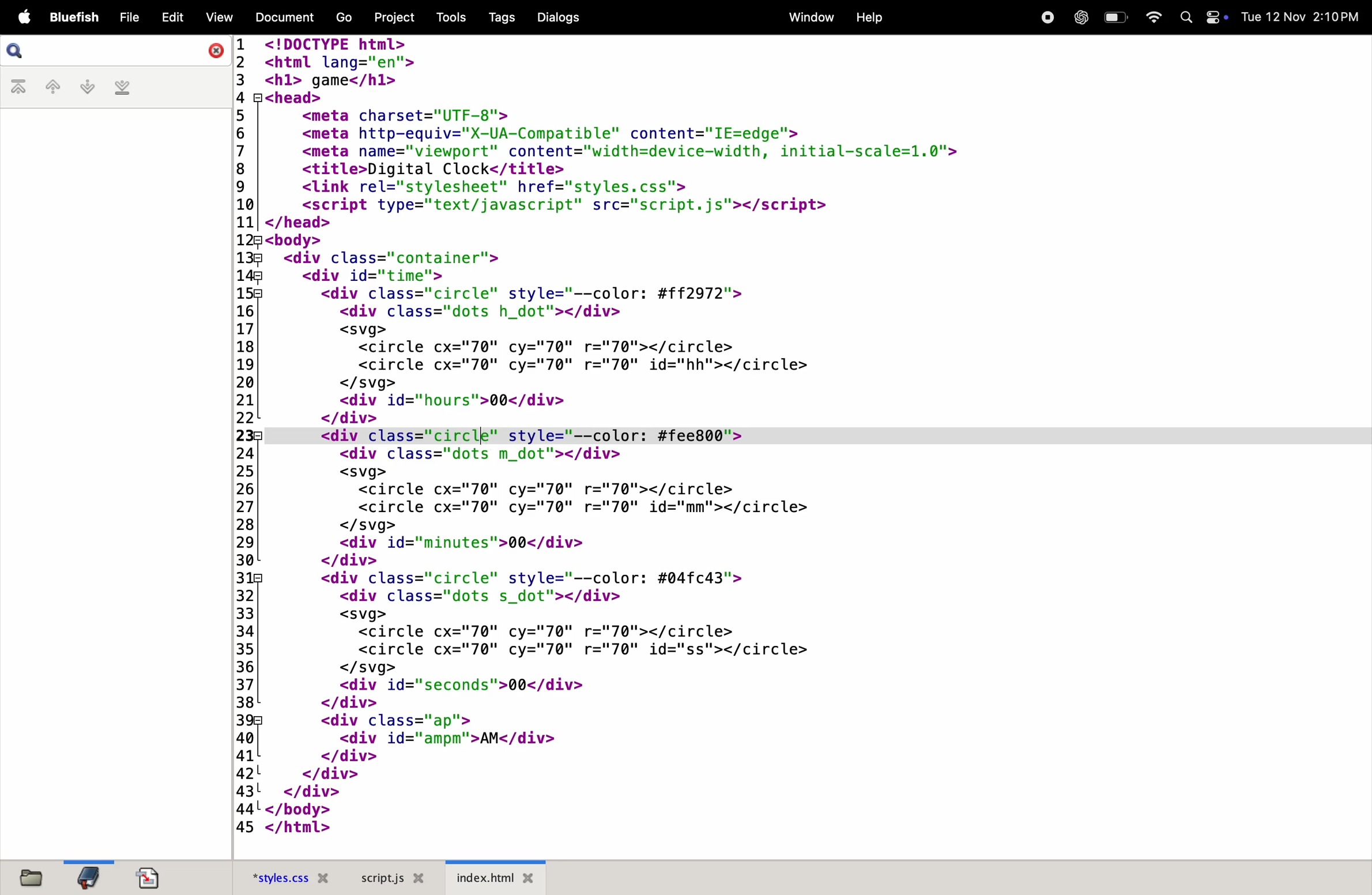 This screenshot has height=895, width=1372. Describe the element at coordinates (18, 88) in the screenshot. I see `first bookmark` at that location.